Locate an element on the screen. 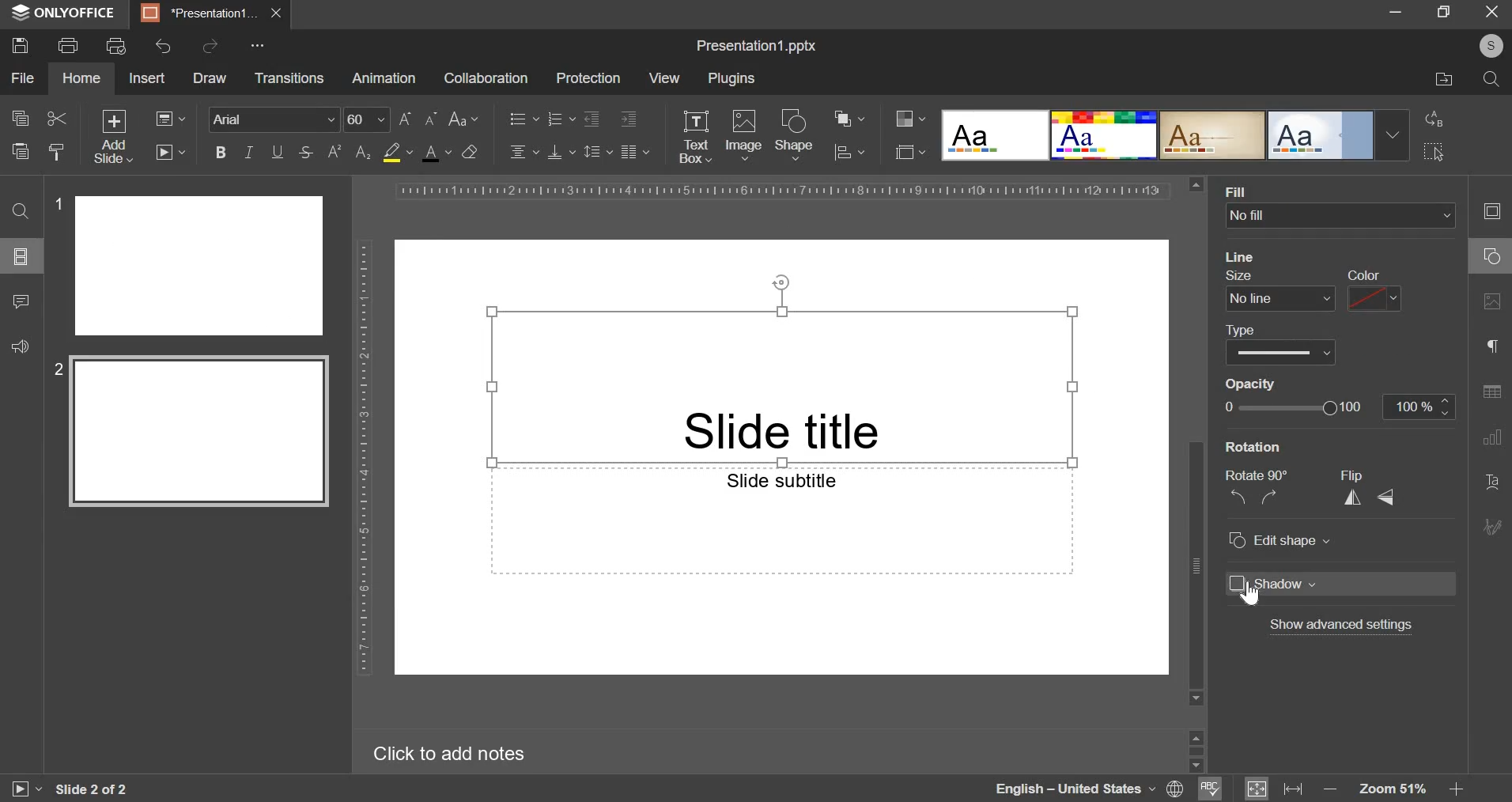  image is located at coordinates (744, 133).